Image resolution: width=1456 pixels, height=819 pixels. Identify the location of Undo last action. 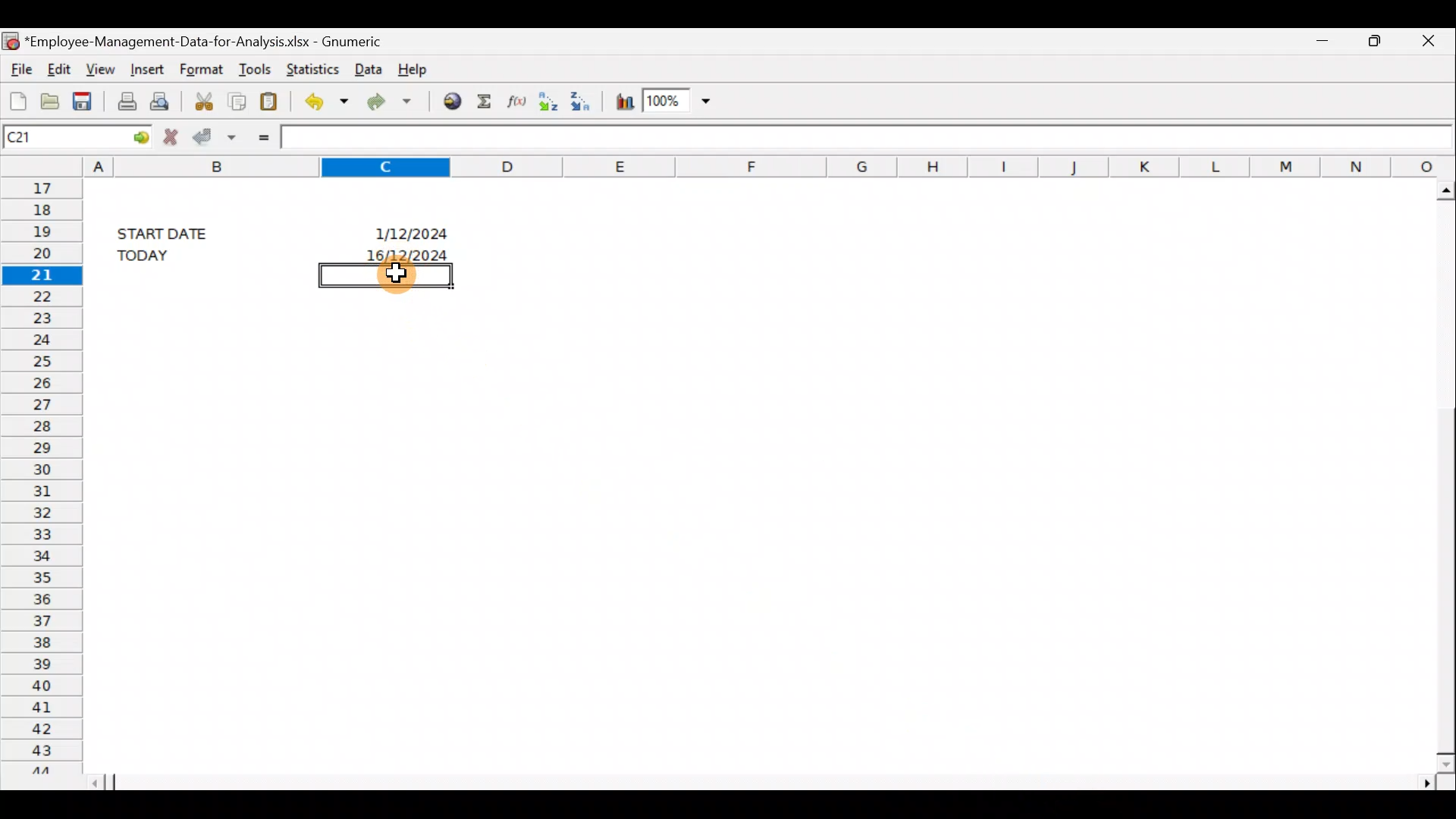
(323, 99).